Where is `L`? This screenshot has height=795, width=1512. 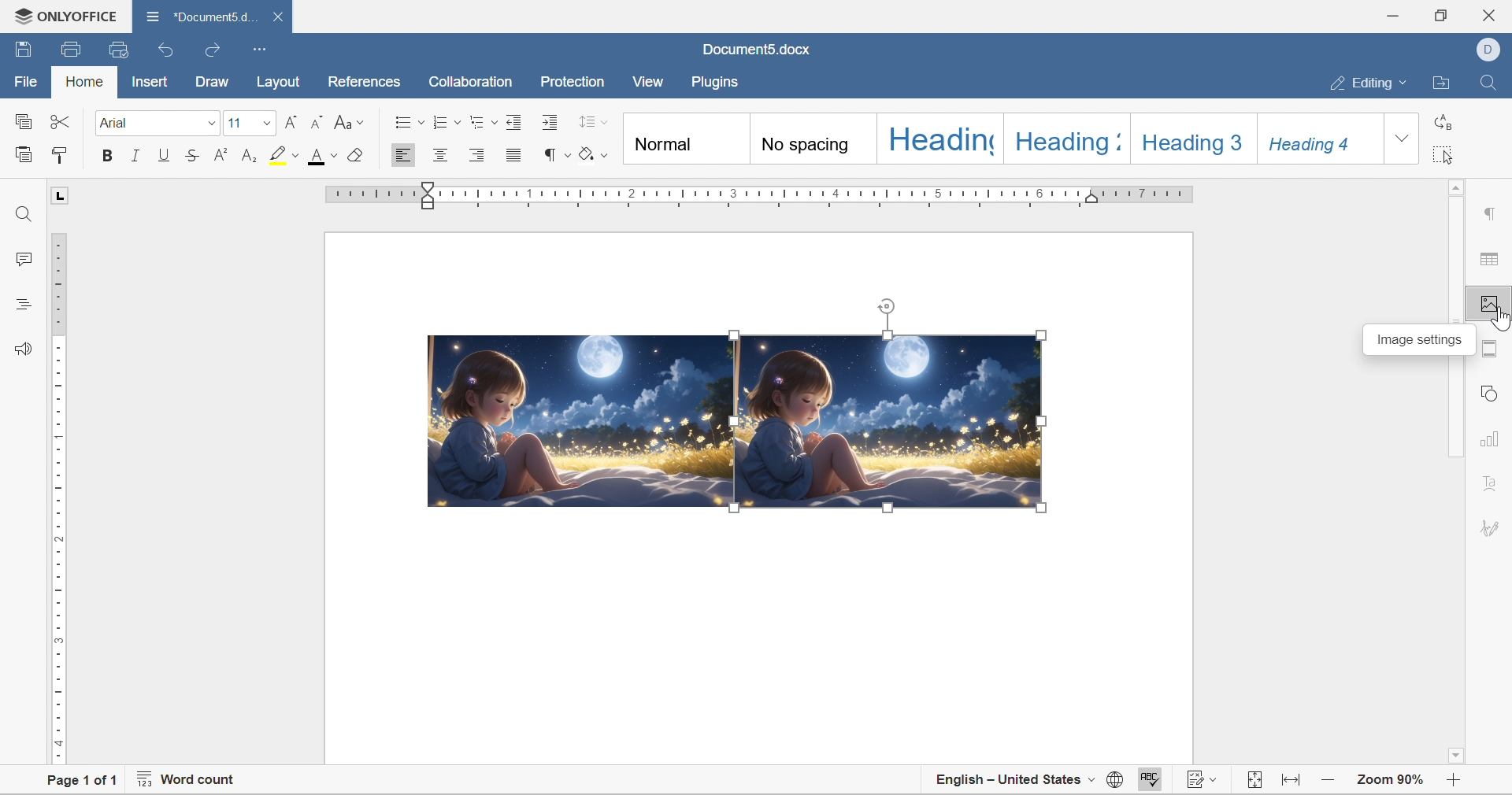 L is located at coordinates (59, 194).